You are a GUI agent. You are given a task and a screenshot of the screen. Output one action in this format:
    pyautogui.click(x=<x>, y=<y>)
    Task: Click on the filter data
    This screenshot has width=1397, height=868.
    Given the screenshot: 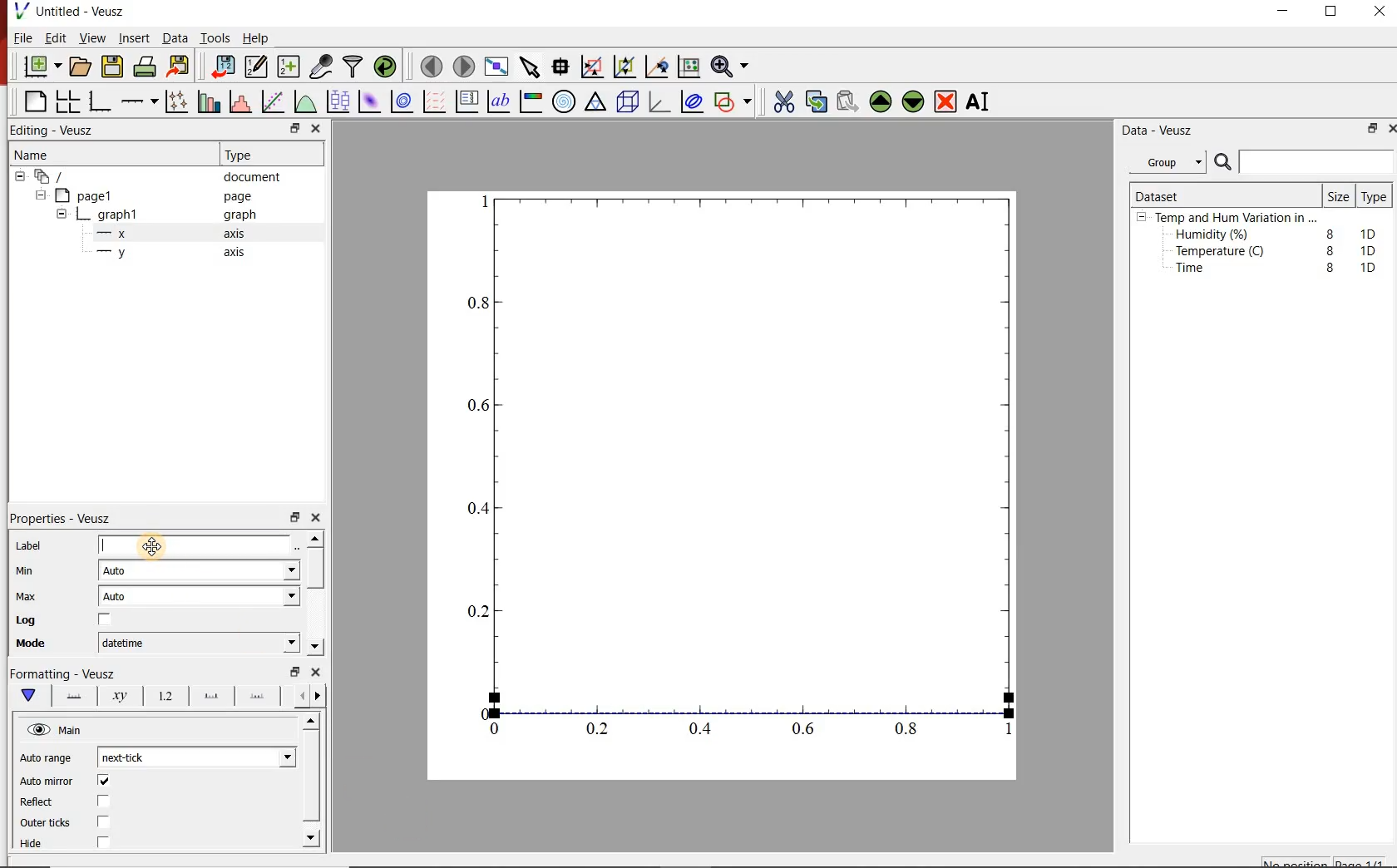 What is the action you would take?
    pyautogui.click(x=353, y=67)
    